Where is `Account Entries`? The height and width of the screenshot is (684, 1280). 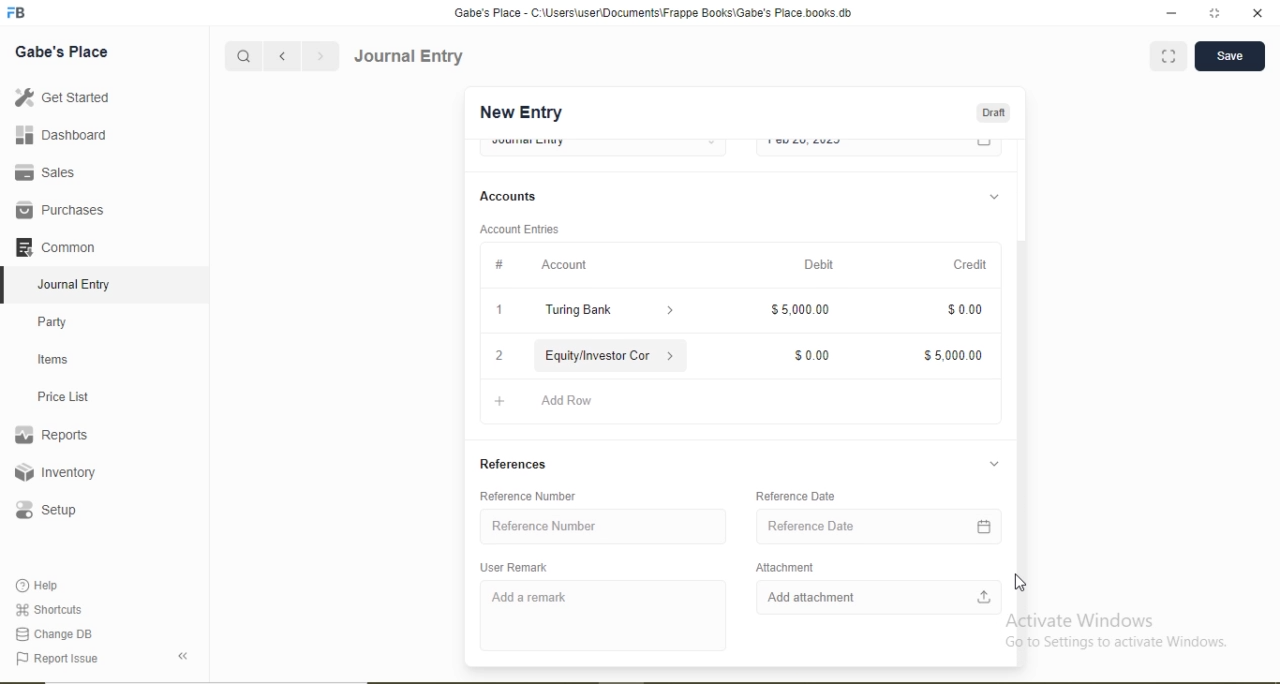
Account Entries is located at coordinates (519, 229).